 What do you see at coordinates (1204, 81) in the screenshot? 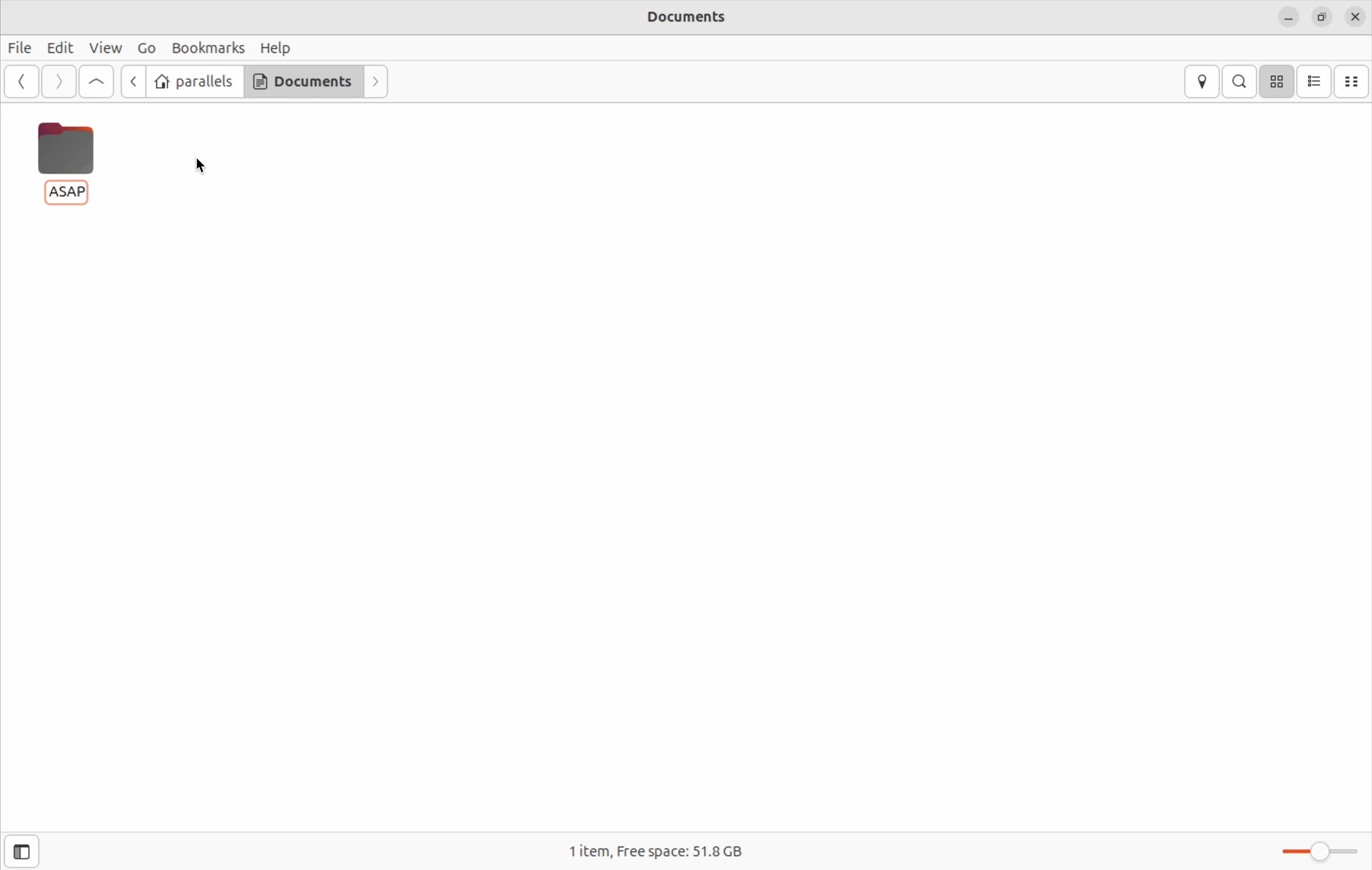
I see `location` at bounding box center [1204, 81].